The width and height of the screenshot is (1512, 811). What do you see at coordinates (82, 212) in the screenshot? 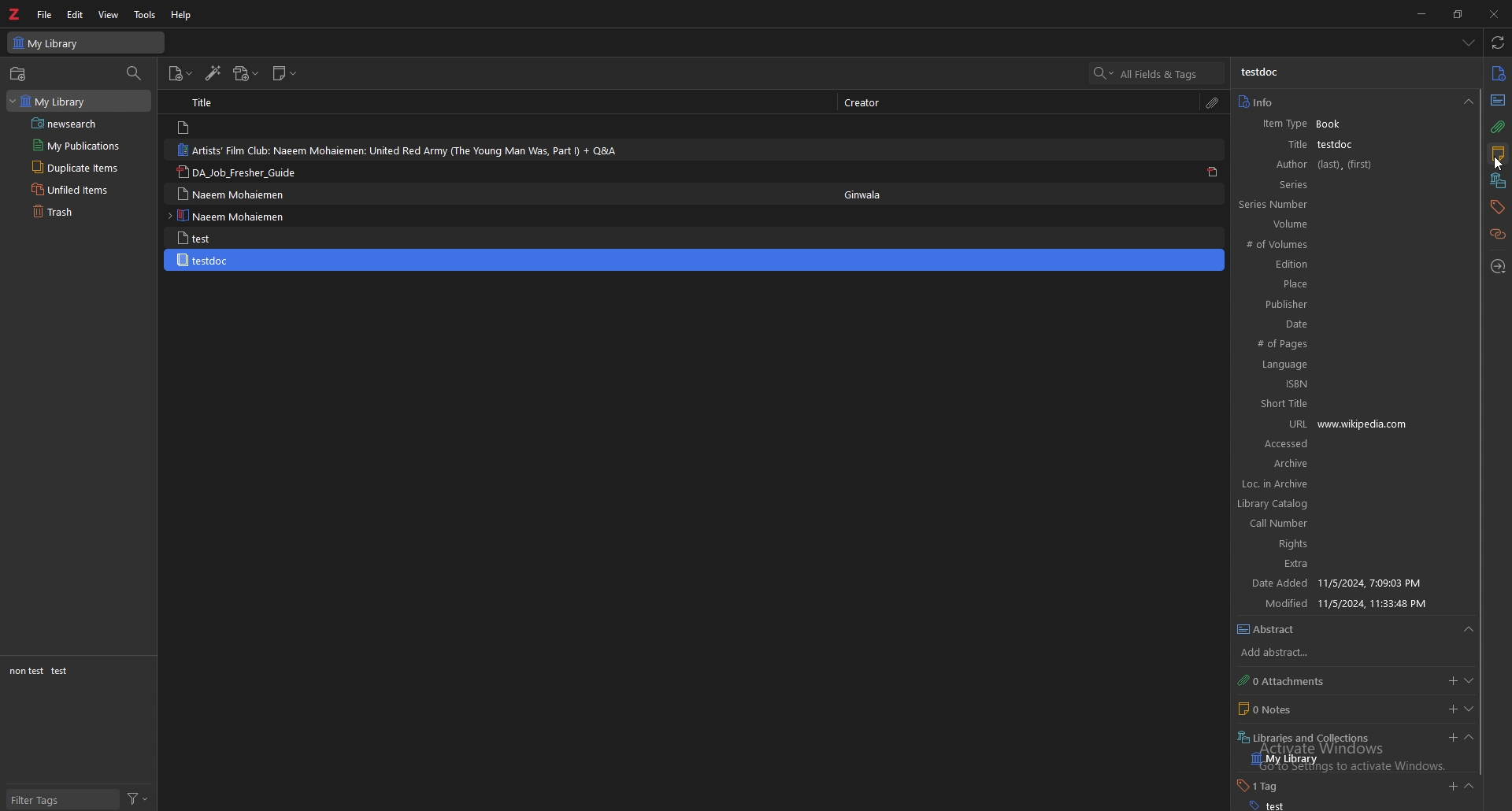
I see `trash` at bounding box center [82, 212].